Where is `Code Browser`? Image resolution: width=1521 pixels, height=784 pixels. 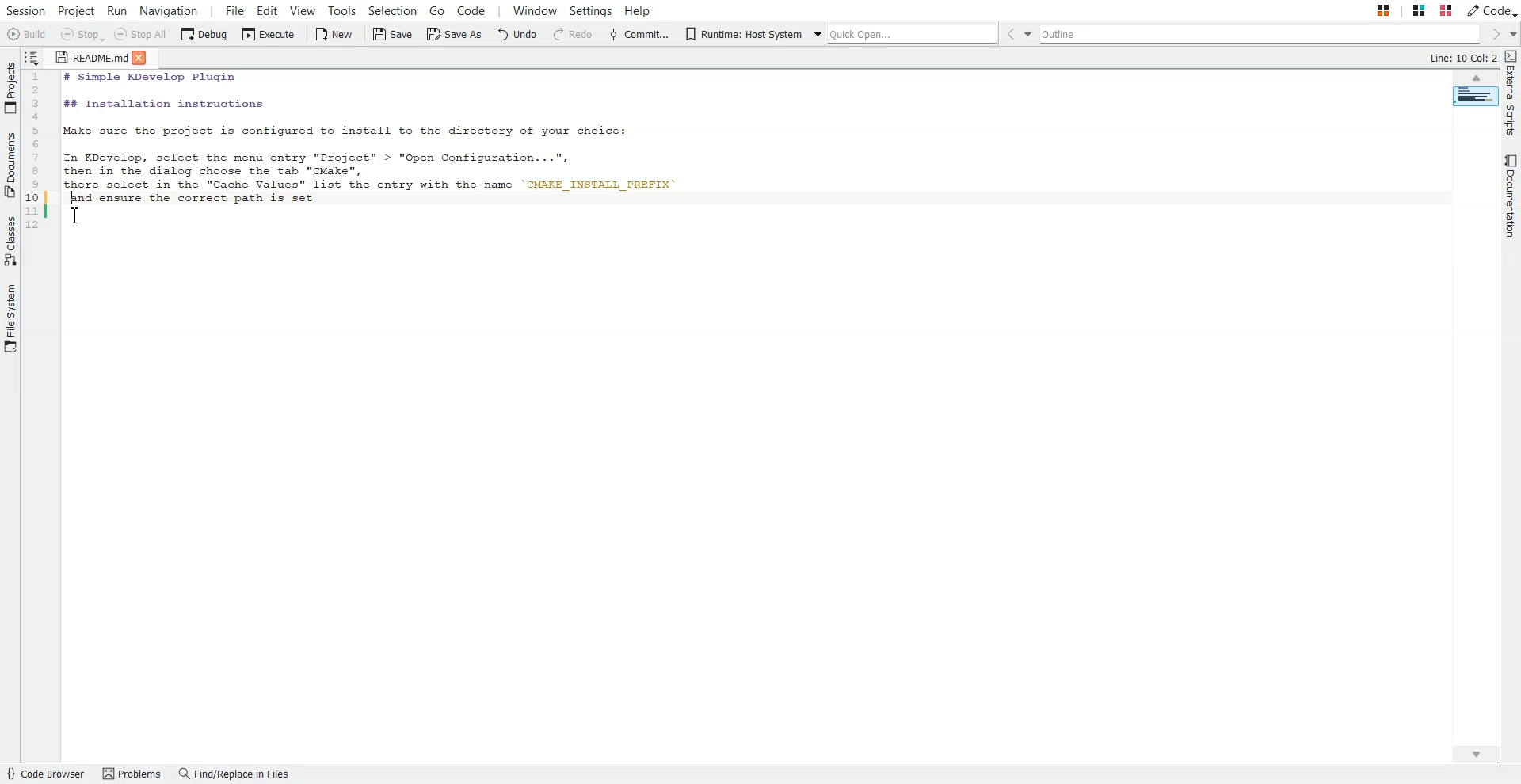
Code Browser is located at coordinates (46, 774).